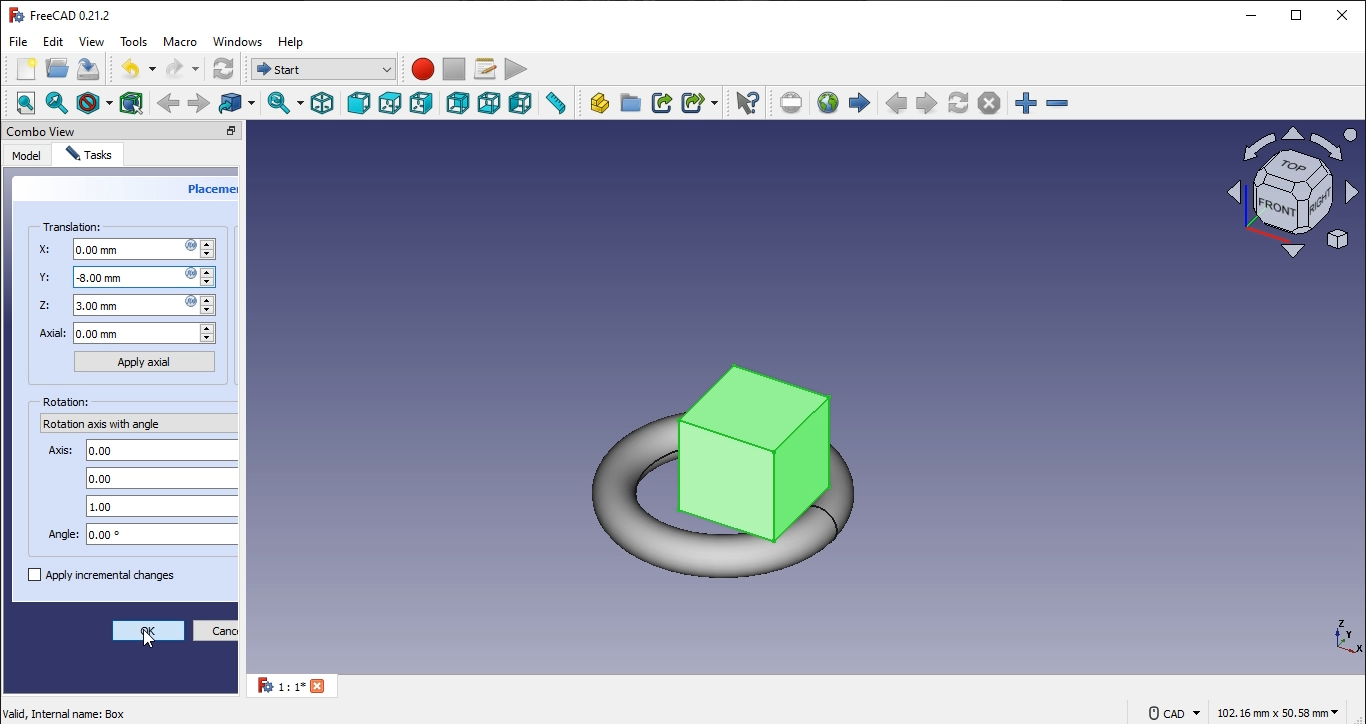 This screenshot has height=724, width=1366. Describe the element at coordinates (97, 103) in the screenshot. I see `draw style` at that location.